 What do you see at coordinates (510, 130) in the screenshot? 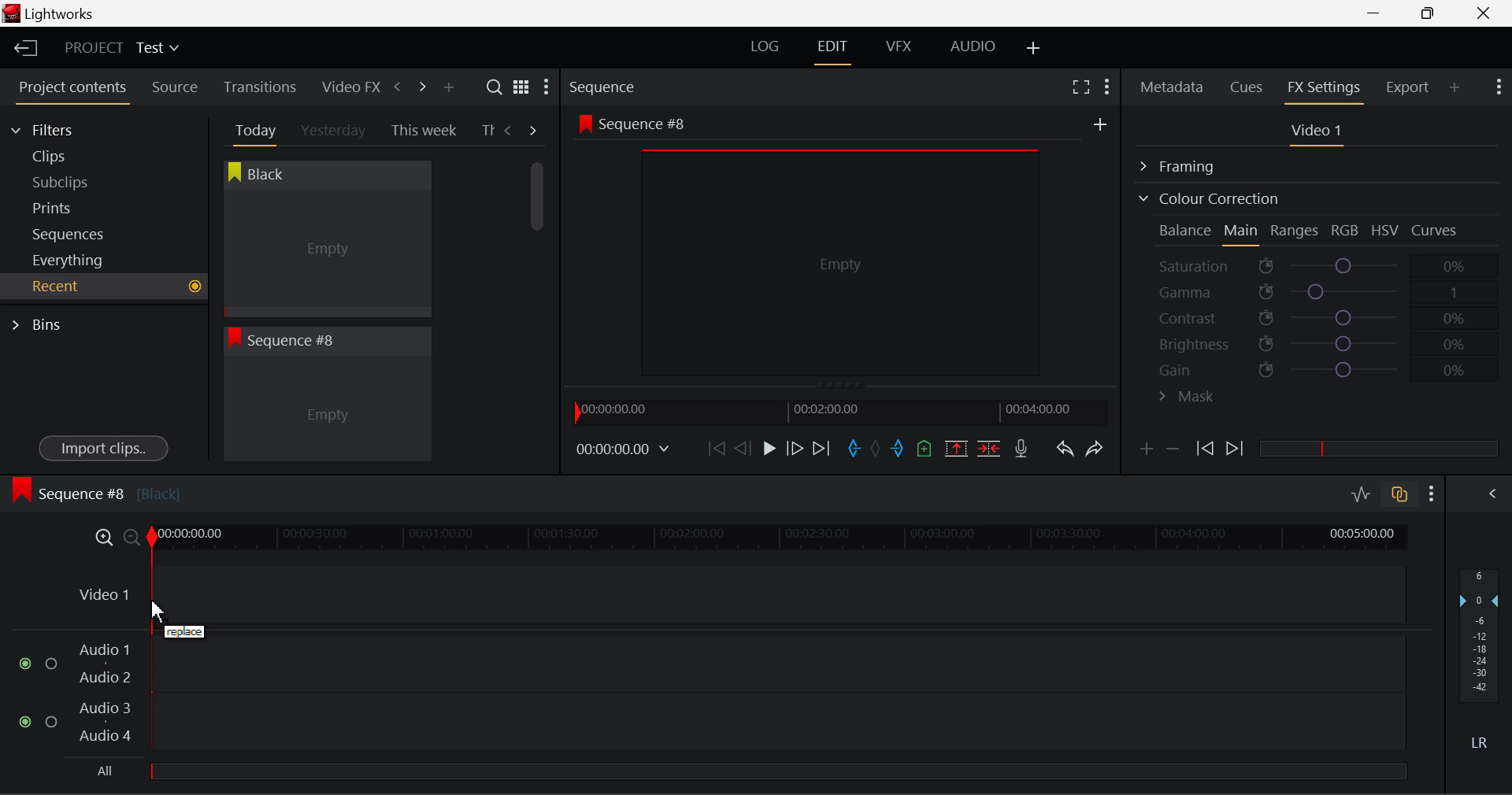
I see `Previous Tab` at bounding box center [510, 130].